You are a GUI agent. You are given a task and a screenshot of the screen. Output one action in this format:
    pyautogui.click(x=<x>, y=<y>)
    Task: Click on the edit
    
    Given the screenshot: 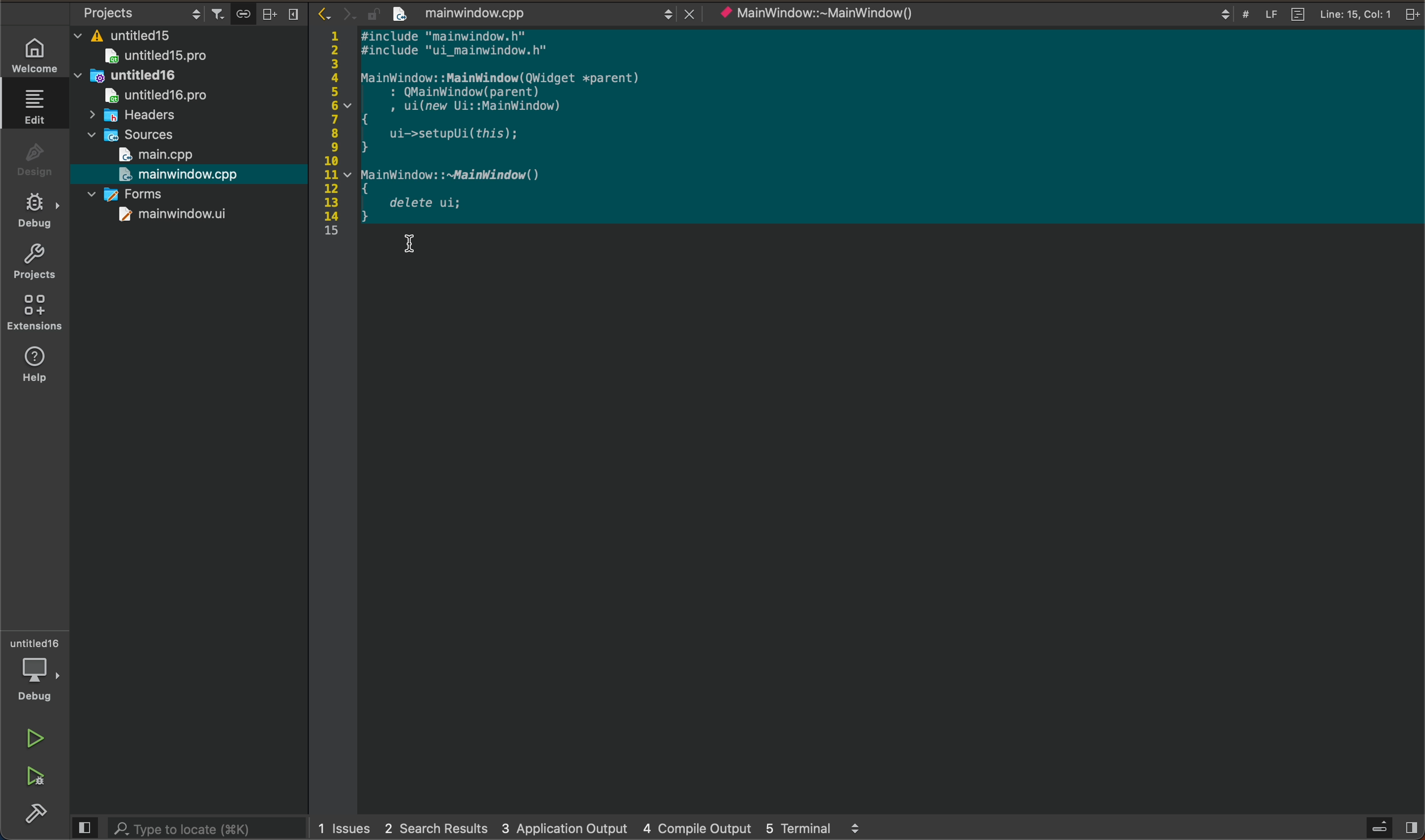 What is the action you would take?
    pyautogui.click(x=35, y=106)
    